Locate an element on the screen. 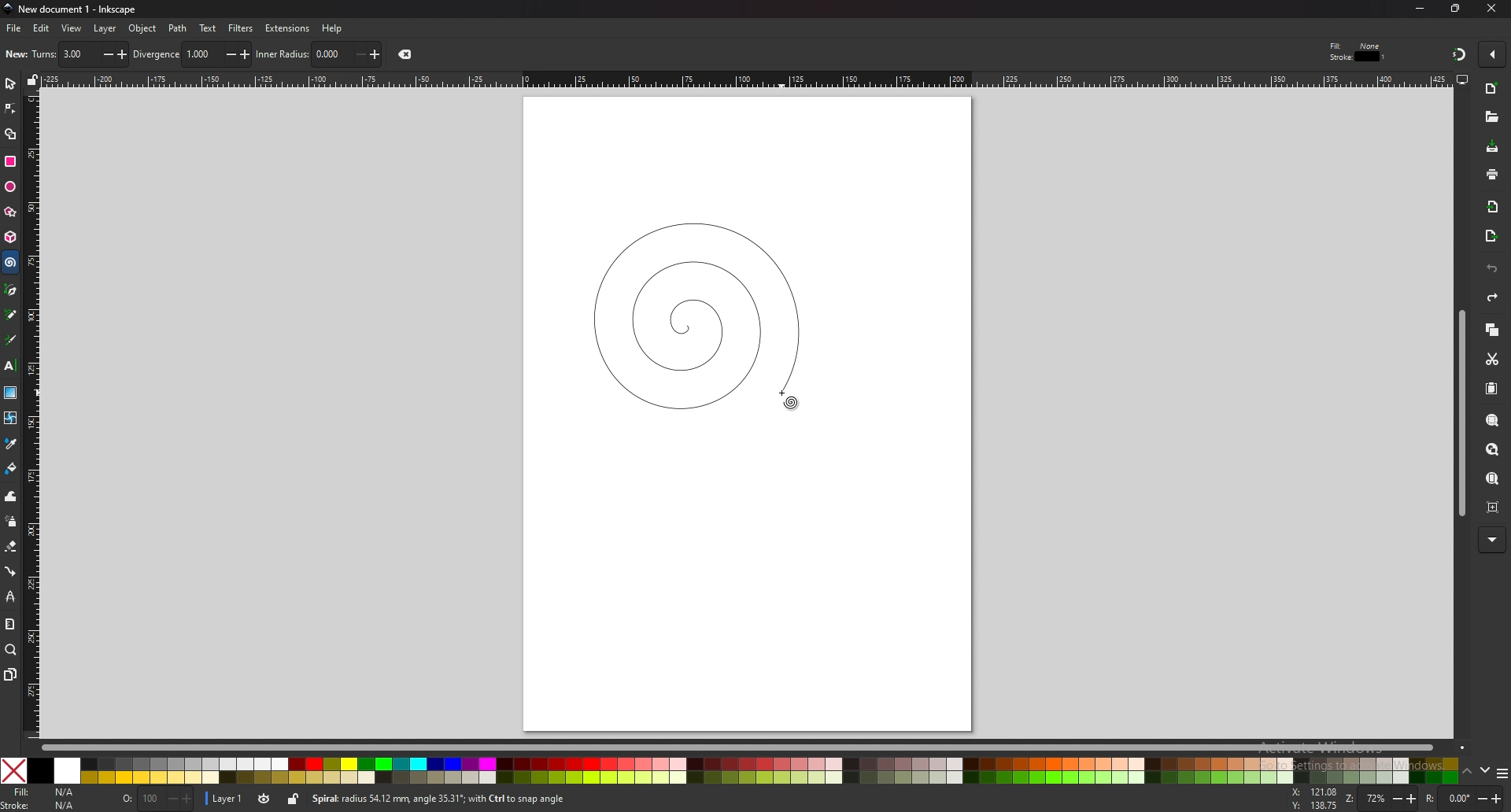 The height and width of the screenshot is (812, 1511). more colors is located at coordinates (1499, 772).